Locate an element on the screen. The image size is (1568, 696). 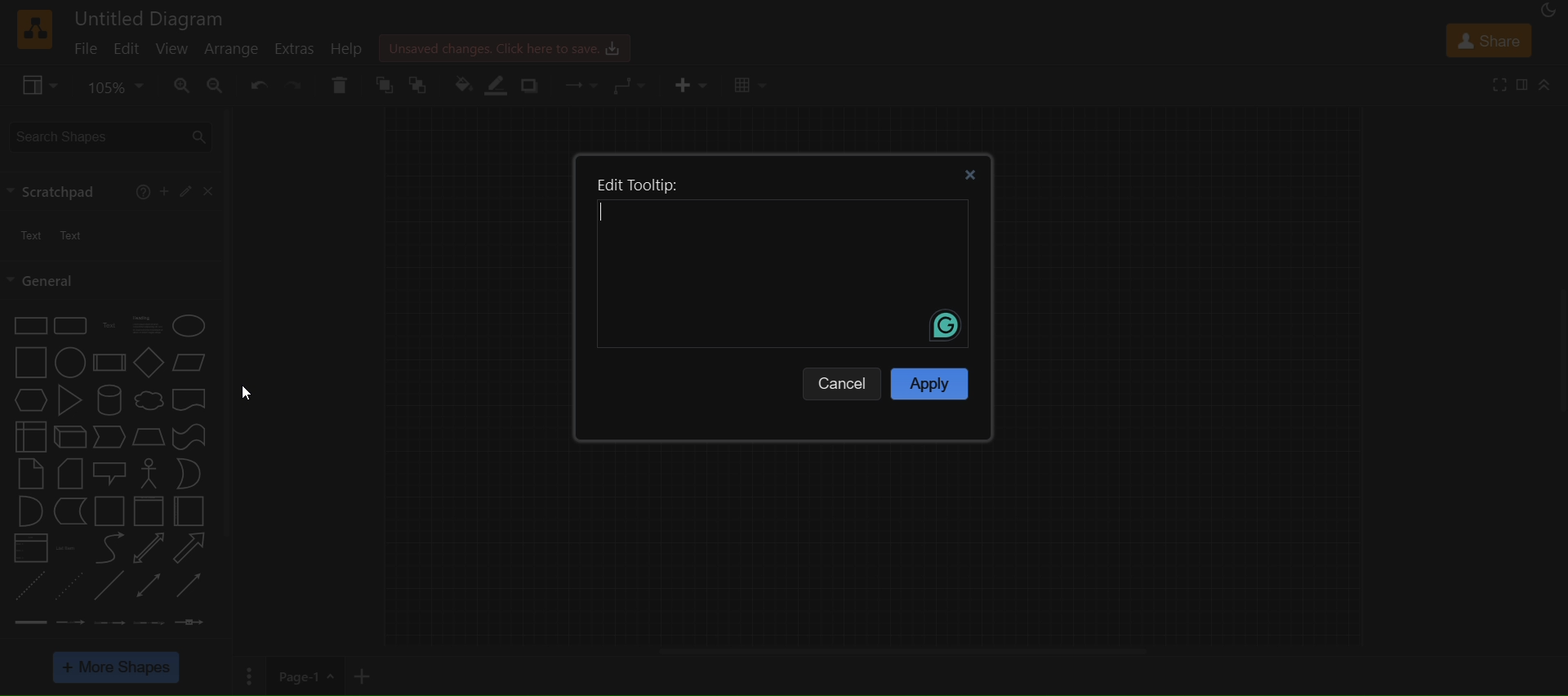
rectangle is located at coordinates (26, 327).